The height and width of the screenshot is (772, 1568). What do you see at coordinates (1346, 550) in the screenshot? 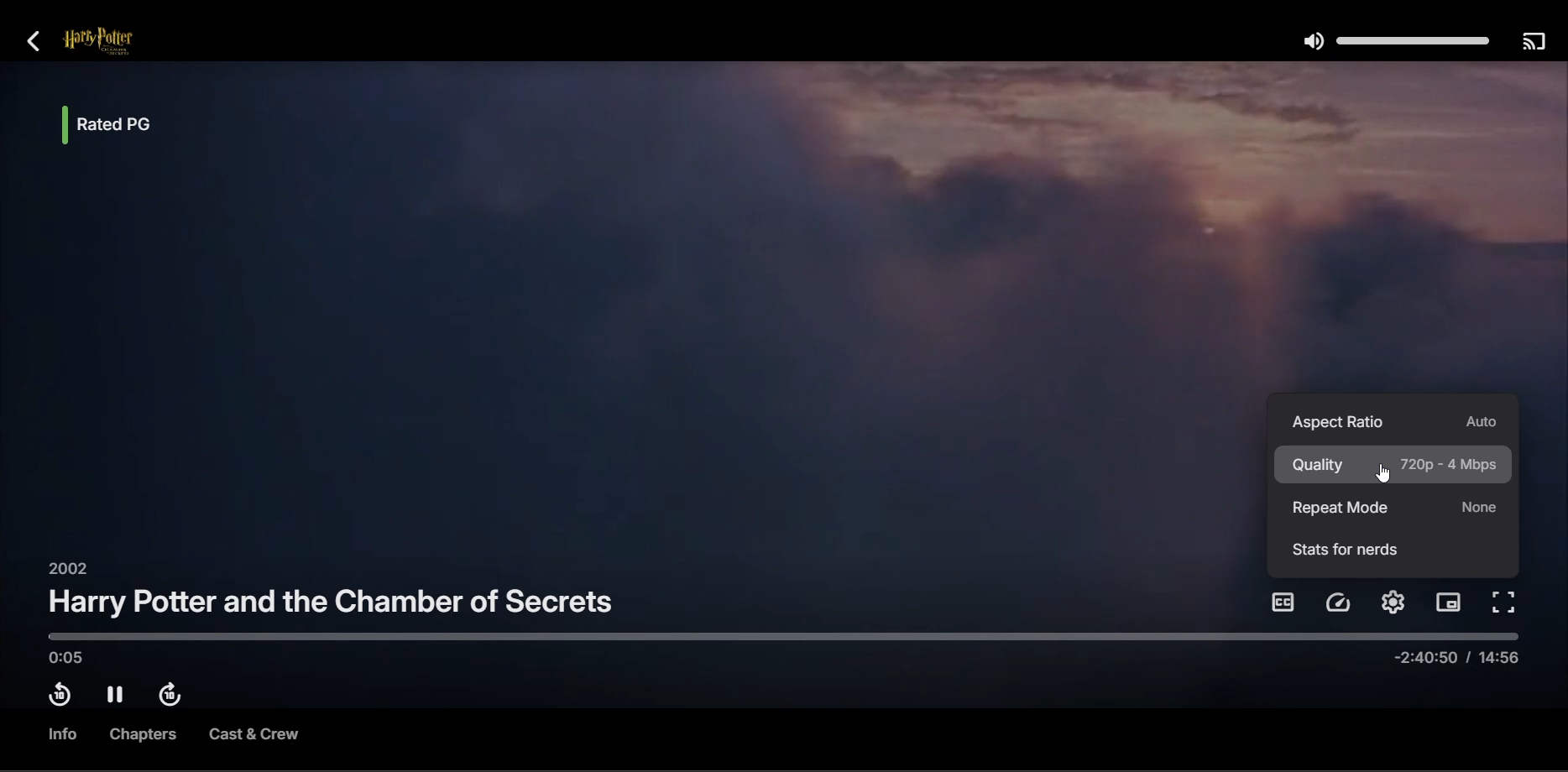
I see `Stats for Nerds` at bounding box center [1346, 550].